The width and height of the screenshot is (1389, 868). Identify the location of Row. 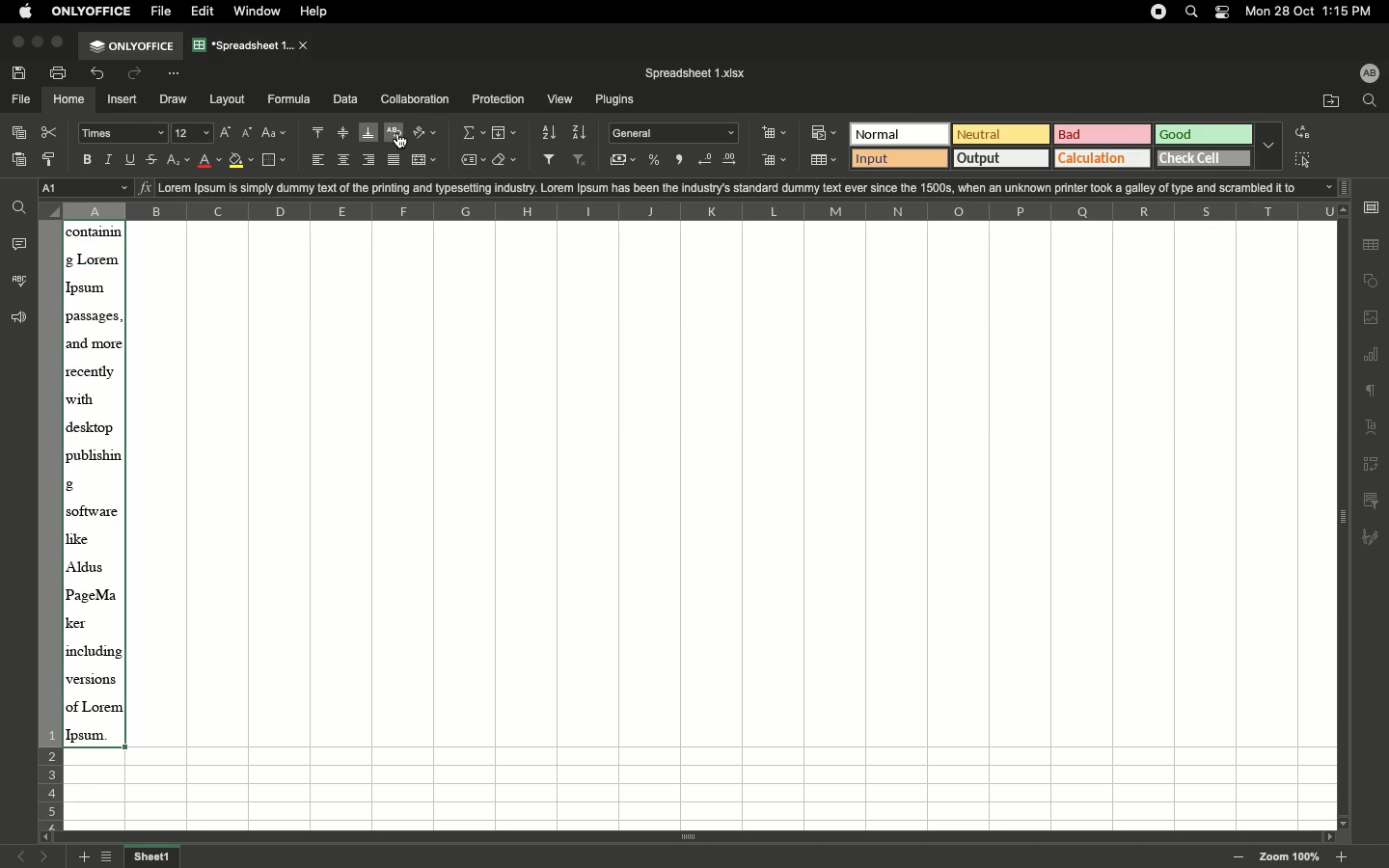
(49, 523).